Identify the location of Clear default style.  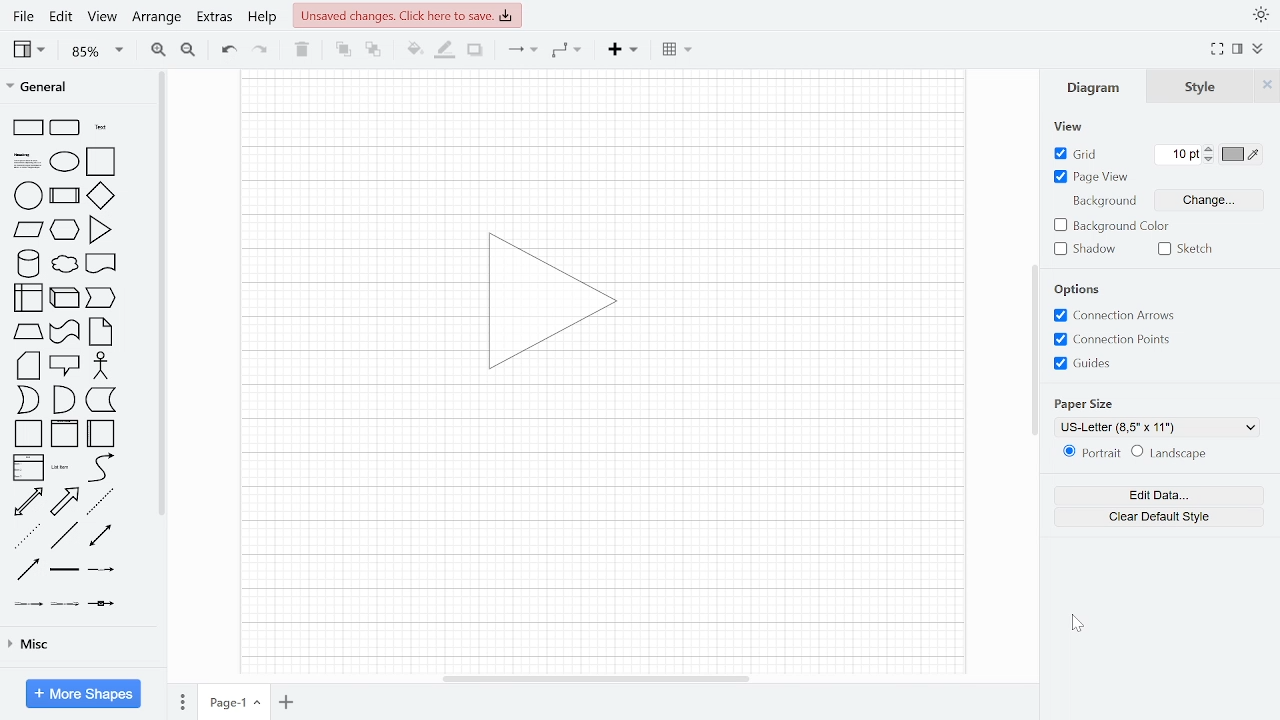
(1159, 517).